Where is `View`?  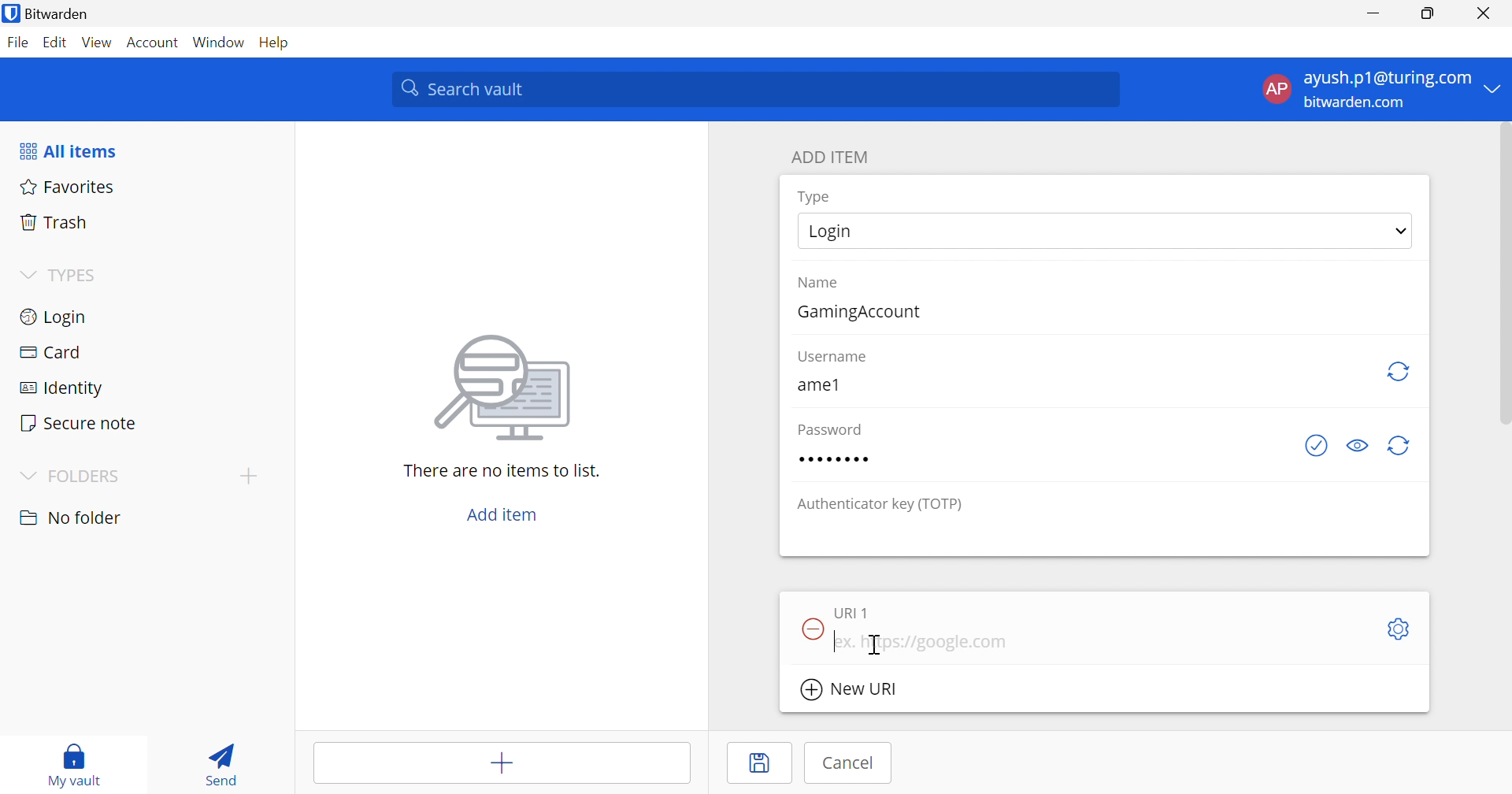
View is located at coordinates (100, 43).